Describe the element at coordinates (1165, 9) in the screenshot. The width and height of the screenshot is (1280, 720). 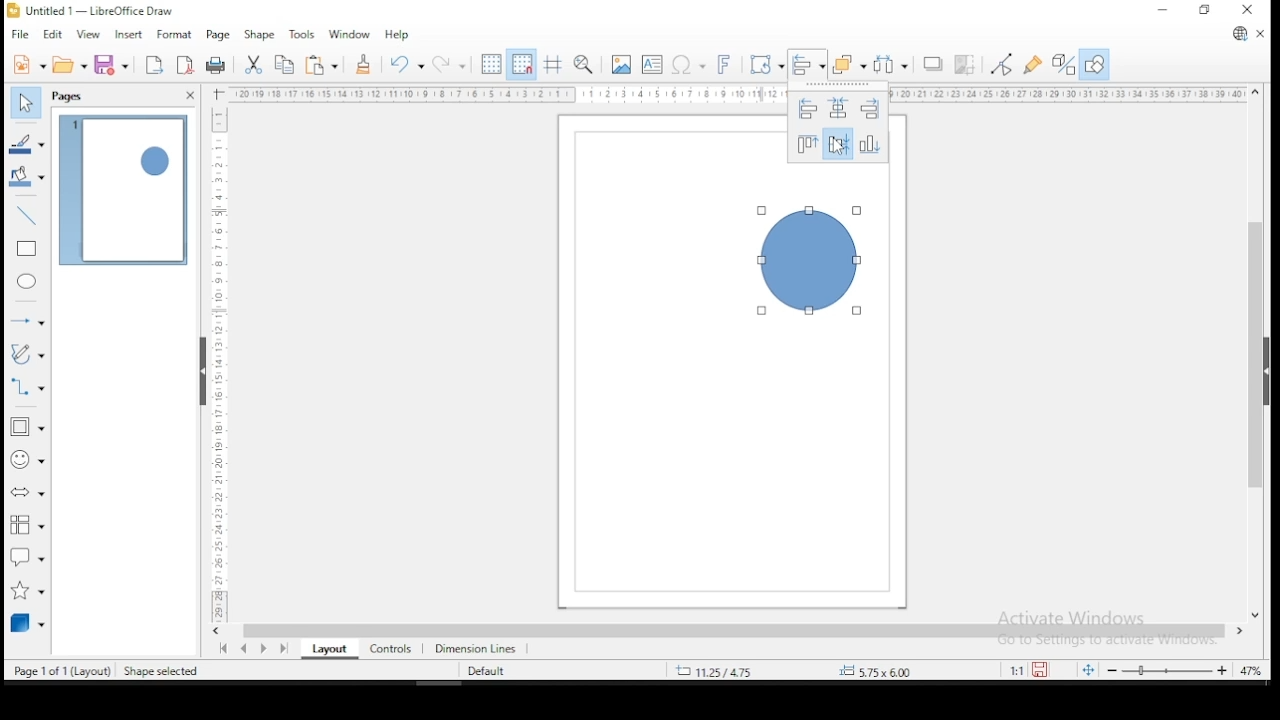
I see `minimize` at that location.